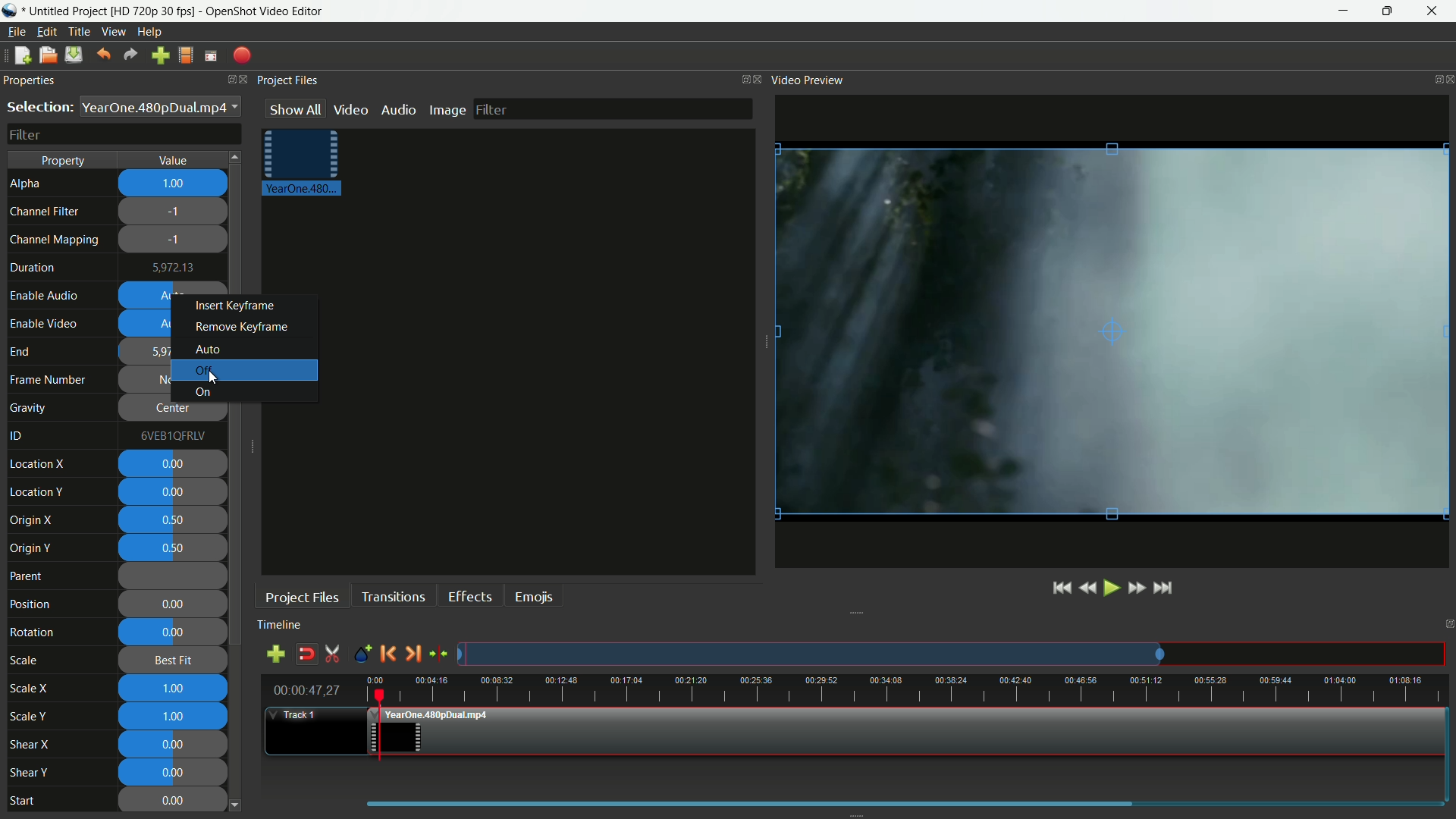 The image size is (1456, 819). I want to click on video in timeline, so click(908, 730).